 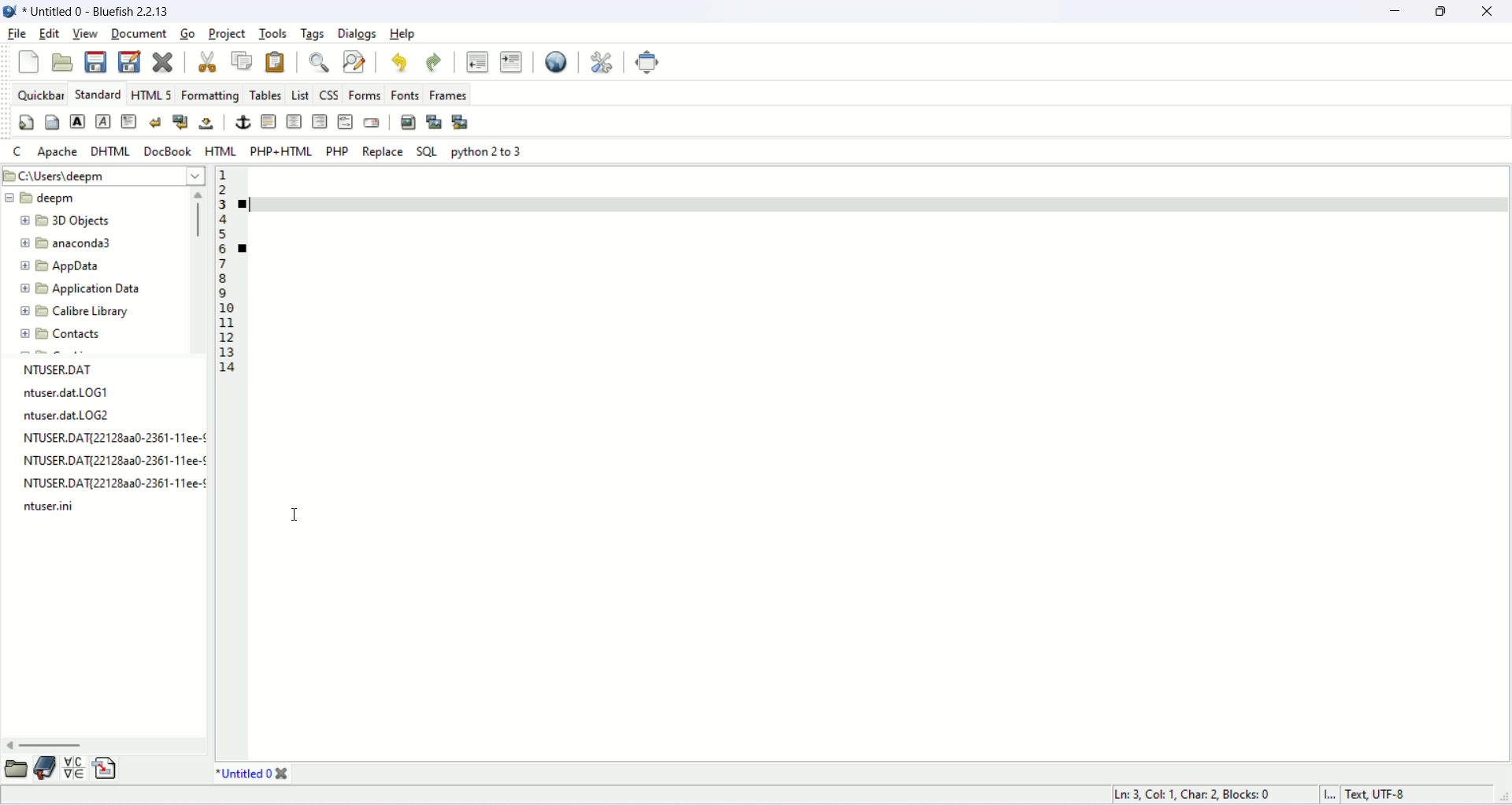 What do you see at coordinates (371, 122) in the screenshot?
I see `email` at bounding box center [371, 122].